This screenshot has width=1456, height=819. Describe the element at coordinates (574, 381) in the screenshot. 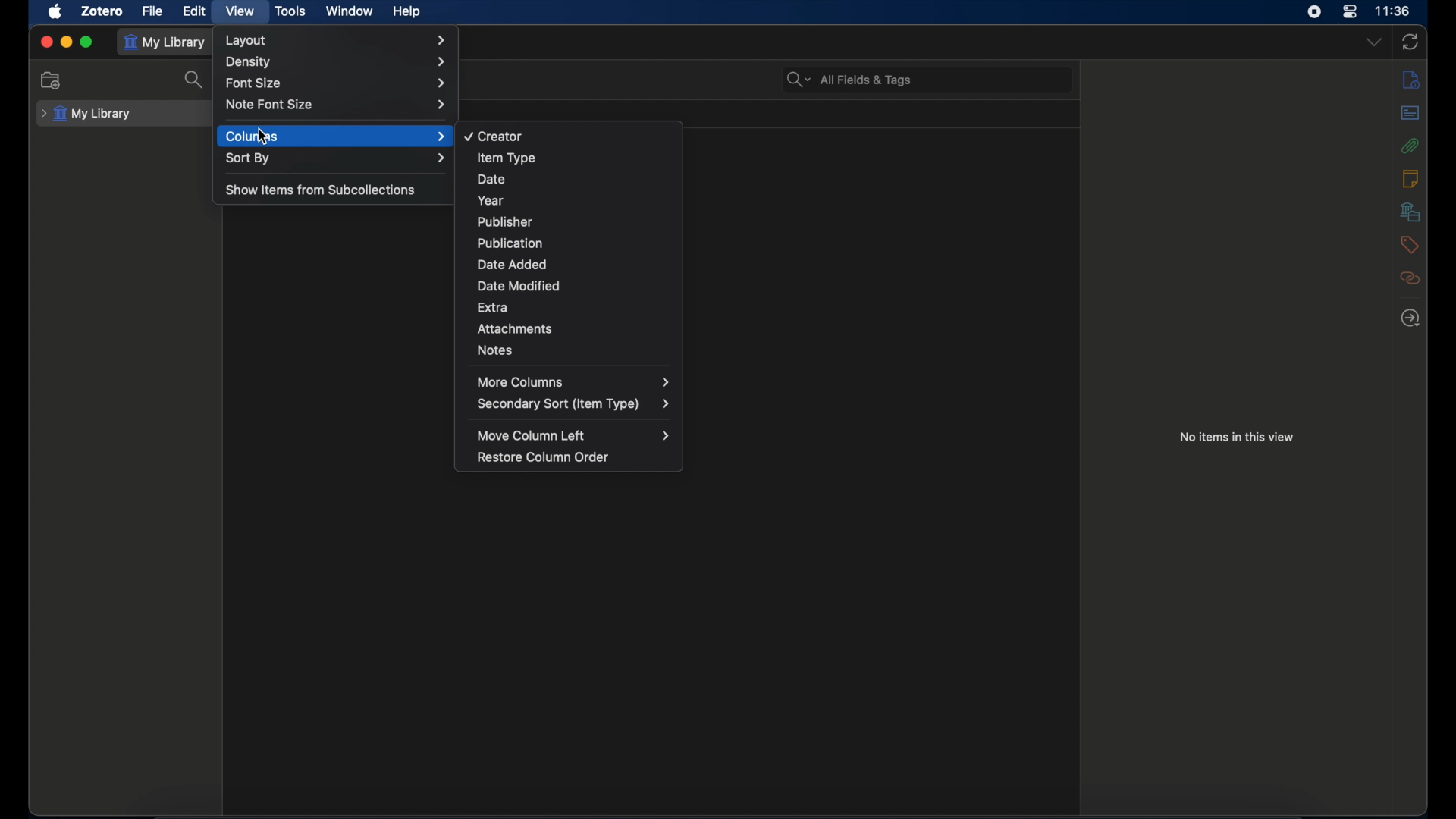

I see `more columns` at that location.